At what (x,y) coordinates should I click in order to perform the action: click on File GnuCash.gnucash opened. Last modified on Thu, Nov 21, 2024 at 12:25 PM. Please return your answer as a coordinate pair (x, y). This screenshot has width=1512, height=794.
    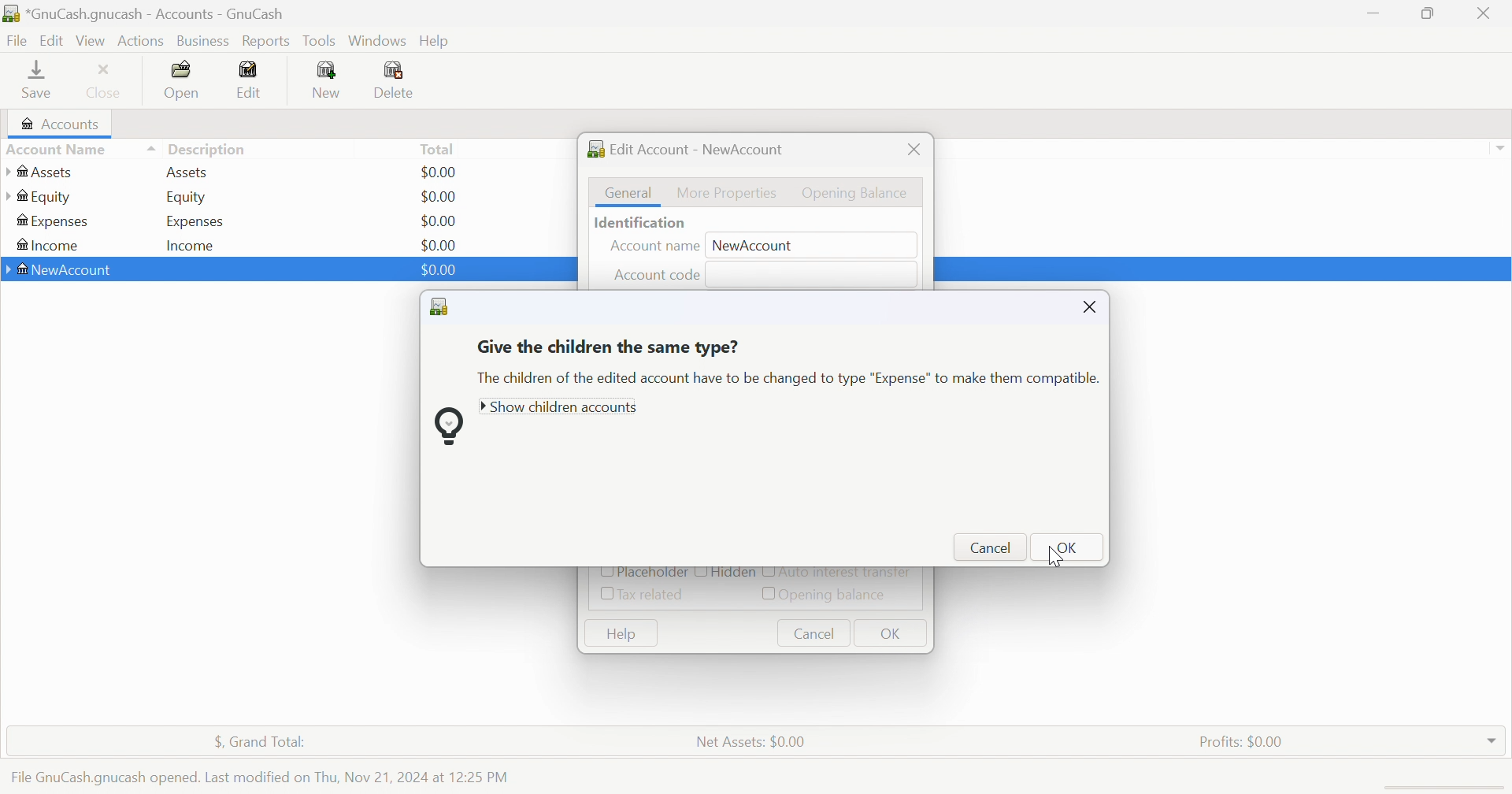
    Looking at the image, I should click on (259, 774).